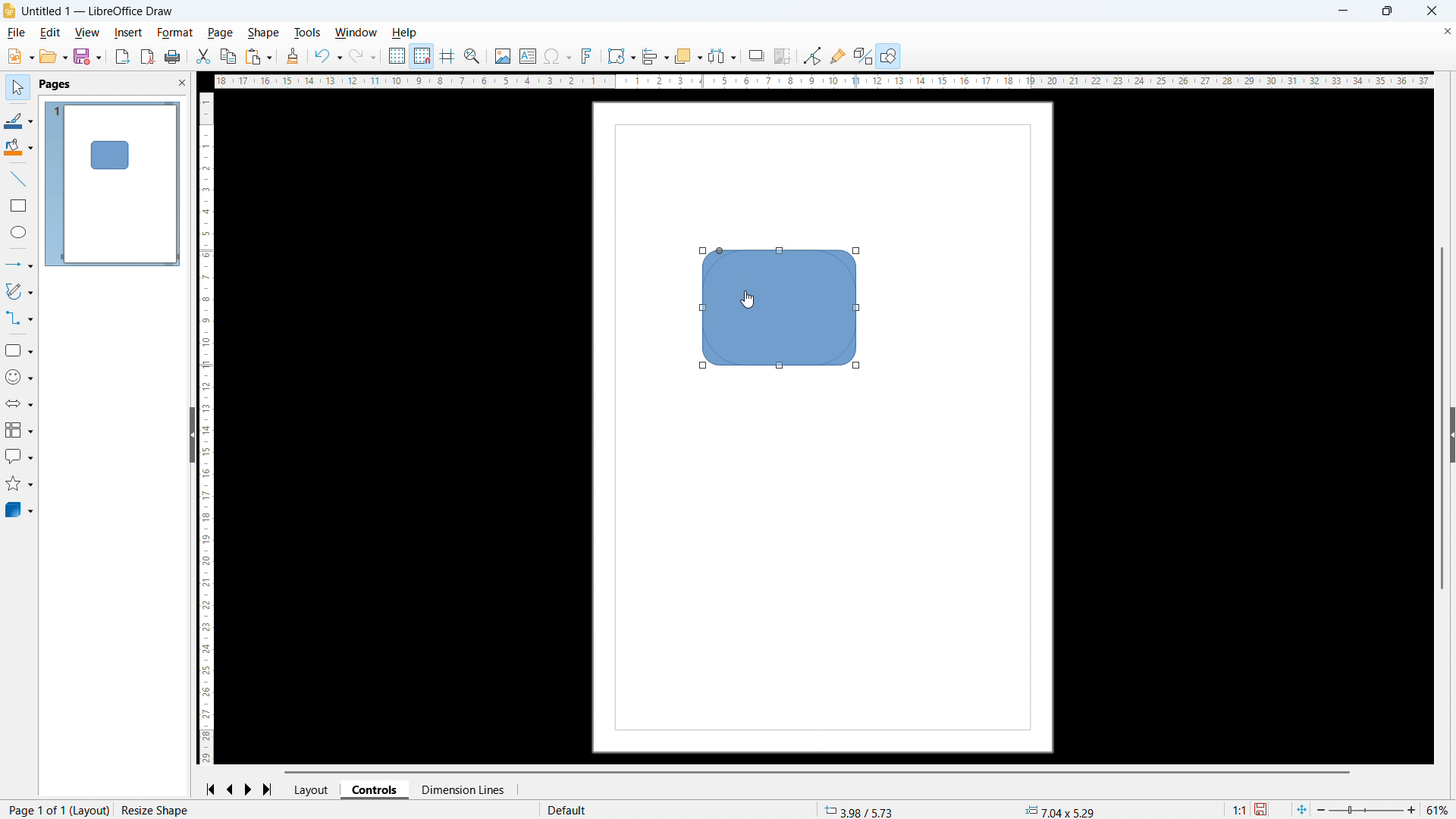 The width and height of the screenshot is (1456, 819). What do you see at coordinates (20, 56) in the screenshot?
I see `new ` at bounding box center [20, 56].